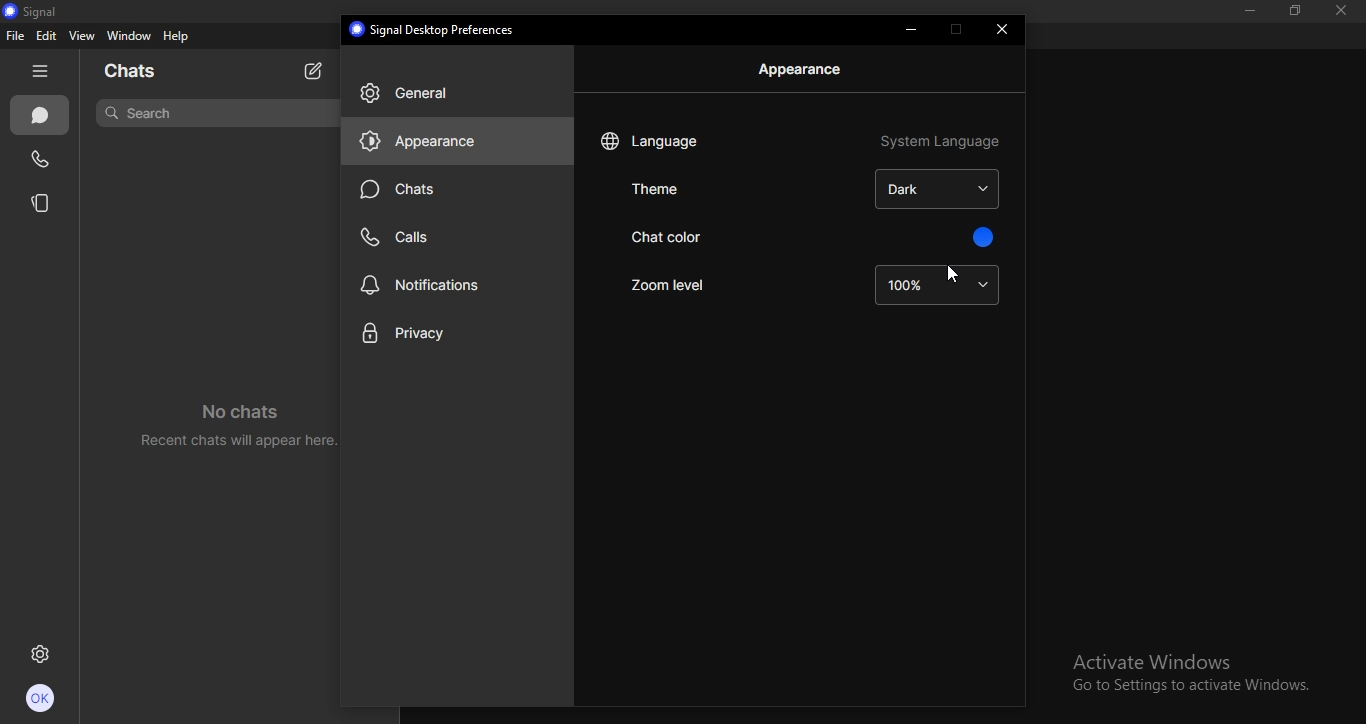 The width and height of the screenshot is (1366, 724). Describe the element at coordinates (46, 36) in the screenshot. I see `edit` at that location.